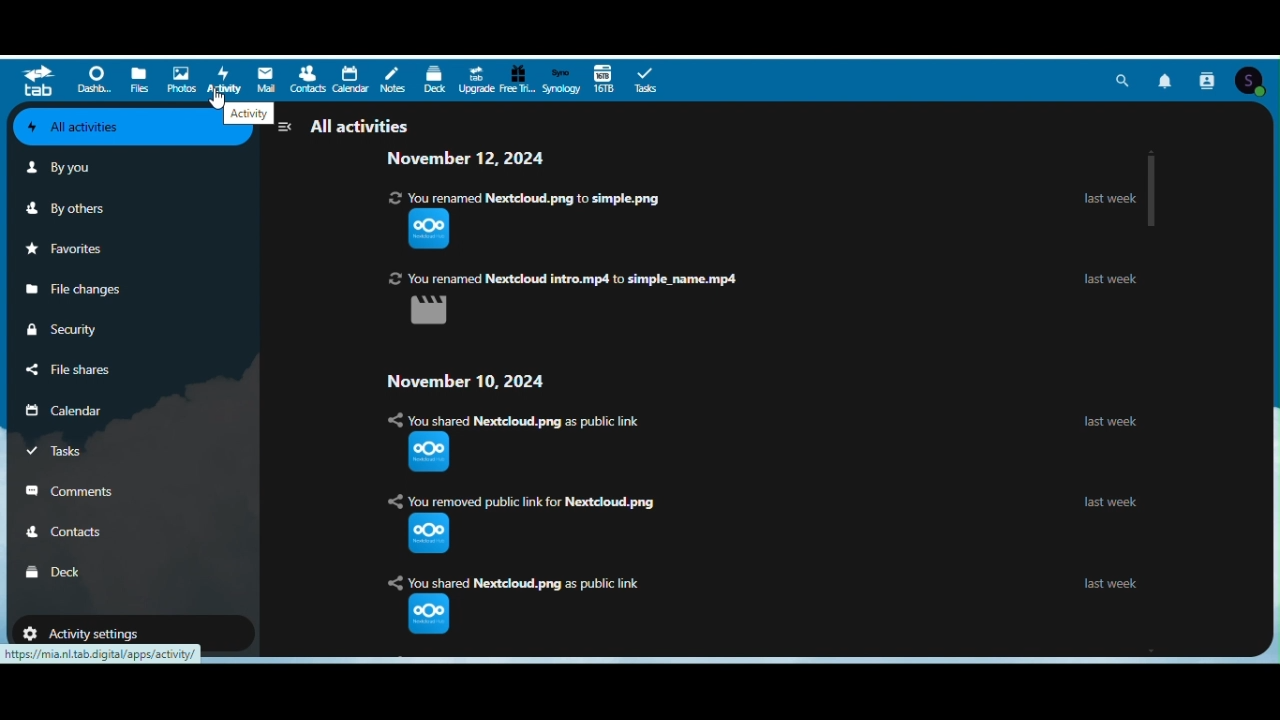  What do you see at coordinates (80, 455) in the screenshot?
I see `Task` at bounding box center [80, 455].